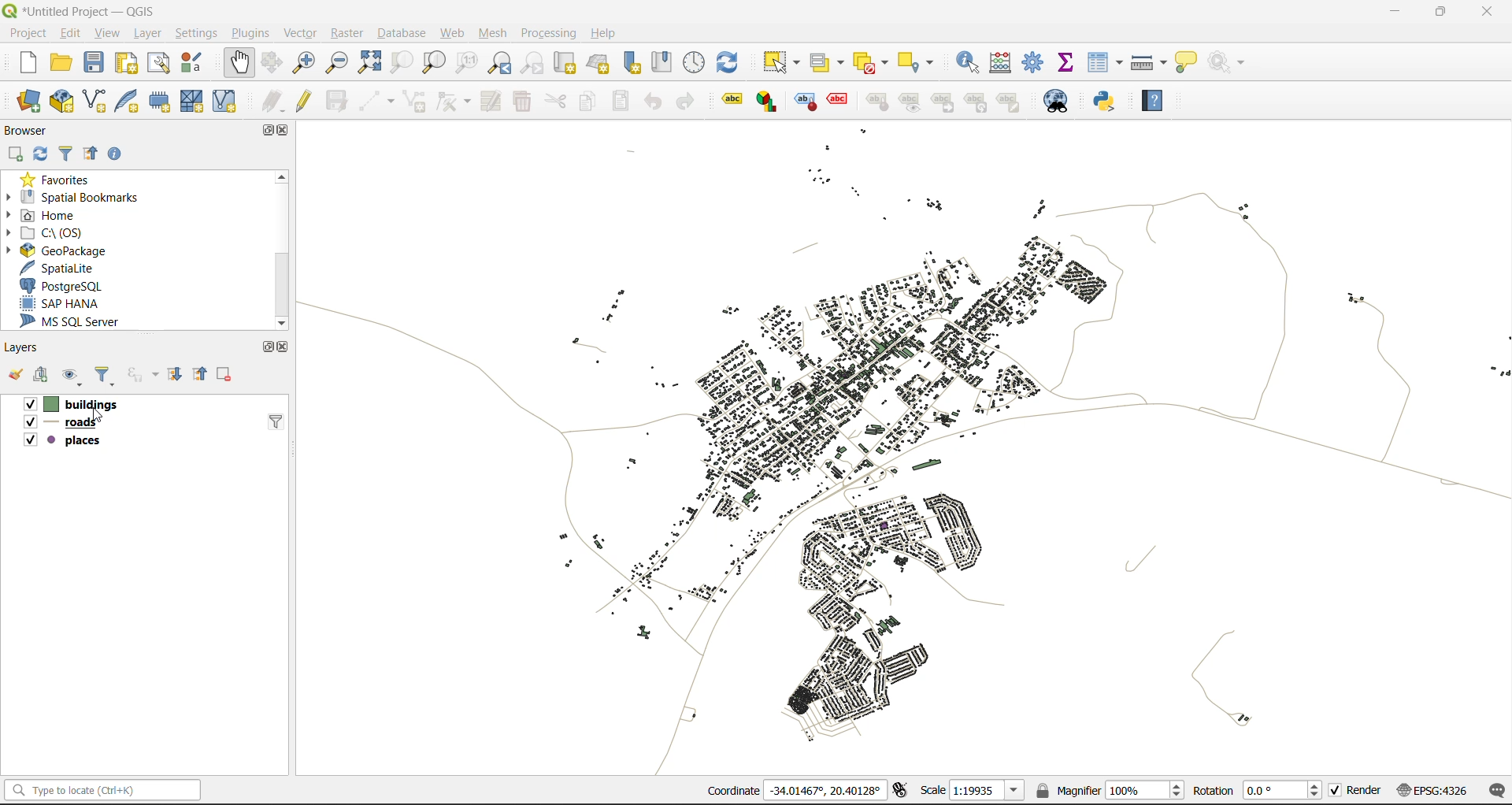 The width and height of the screenshot is (1512, 805). What do you see at coordinates (223, 102) in the screenshot?
I see `new virtual layer` at bounding box center [223, 102].